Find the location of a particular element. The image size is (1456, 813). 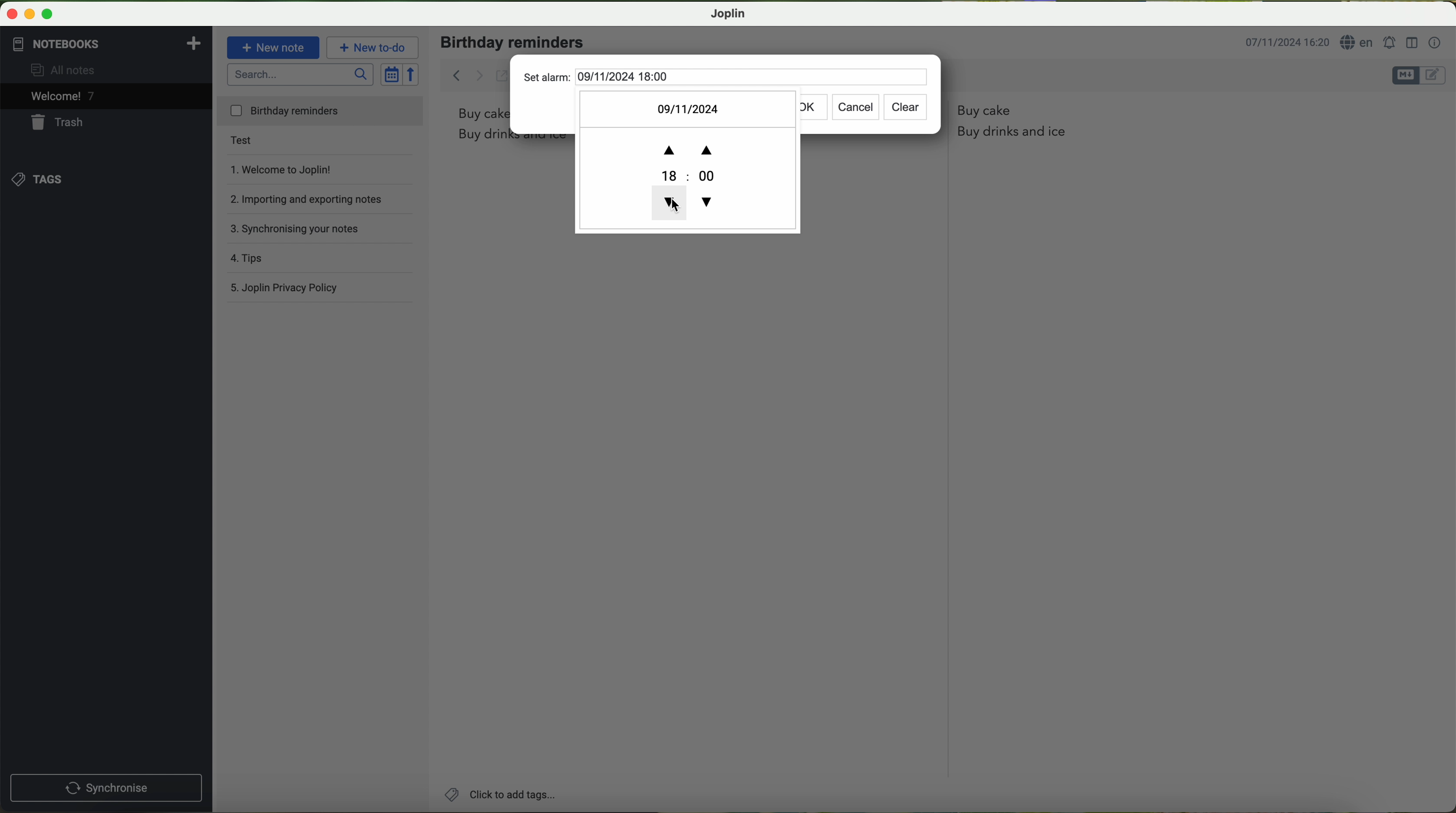

trash is located at coordinates (62, 123).